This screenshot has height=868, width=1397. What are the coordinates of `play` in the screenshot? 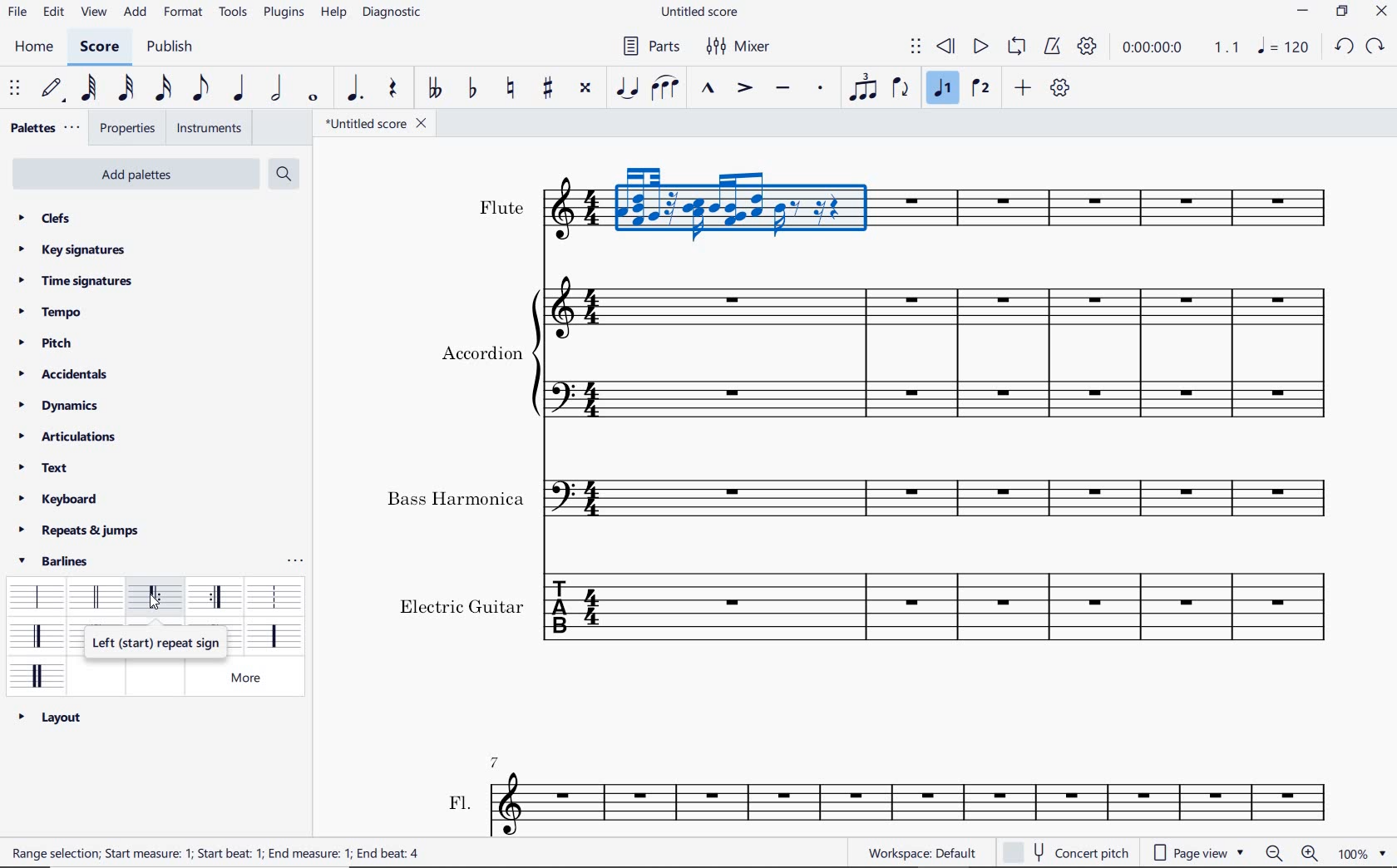 It's located at (980, 47).